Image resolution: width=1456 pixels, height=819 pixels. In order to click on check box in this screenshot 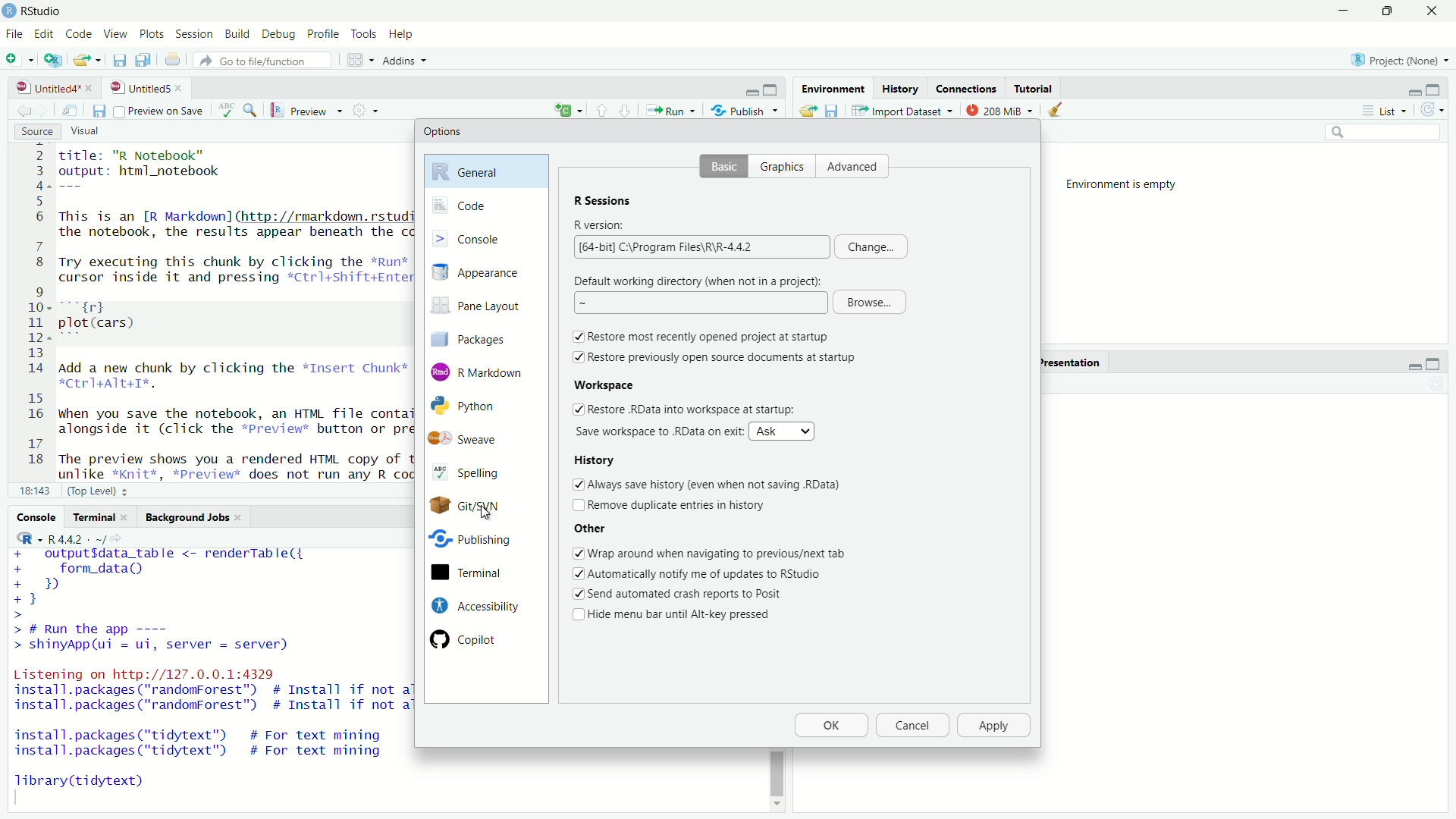, I will do `click(576, 483)`.